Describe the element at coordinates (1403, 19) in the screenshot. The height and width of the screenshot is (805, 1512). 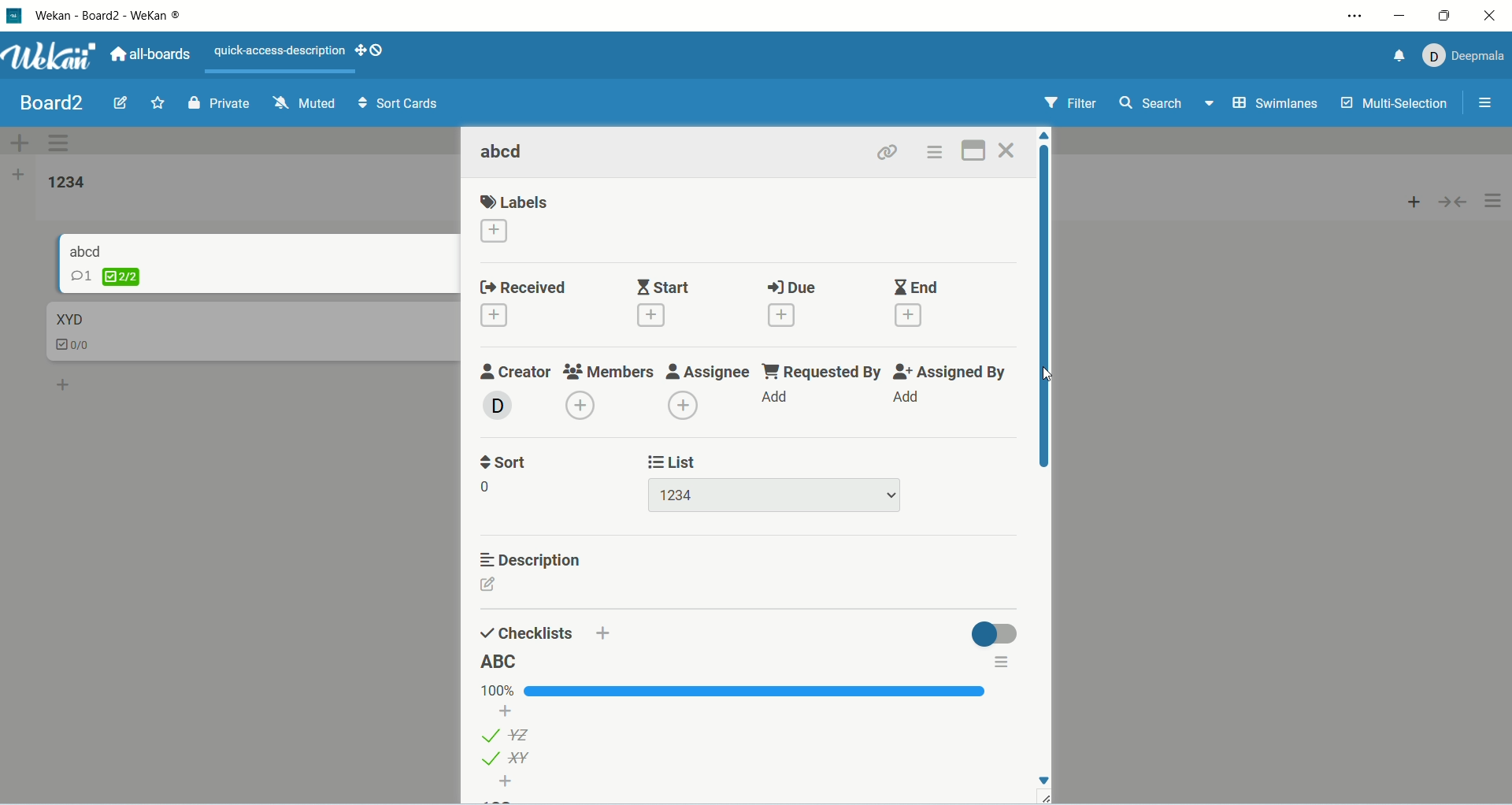
I see `minimize` at that location.